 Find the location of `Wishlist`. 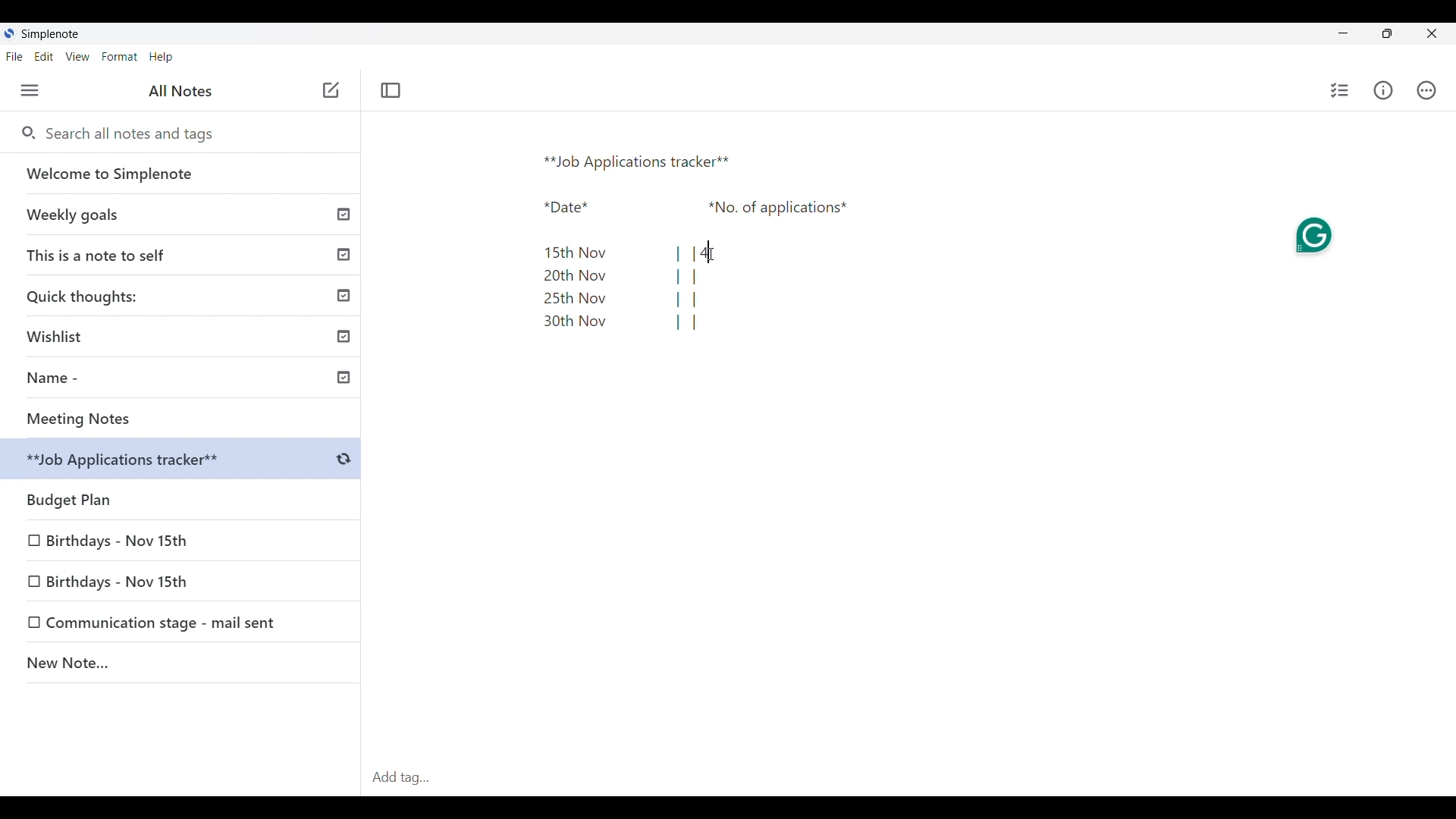

Wishlist is located at coordinates (186, 334).